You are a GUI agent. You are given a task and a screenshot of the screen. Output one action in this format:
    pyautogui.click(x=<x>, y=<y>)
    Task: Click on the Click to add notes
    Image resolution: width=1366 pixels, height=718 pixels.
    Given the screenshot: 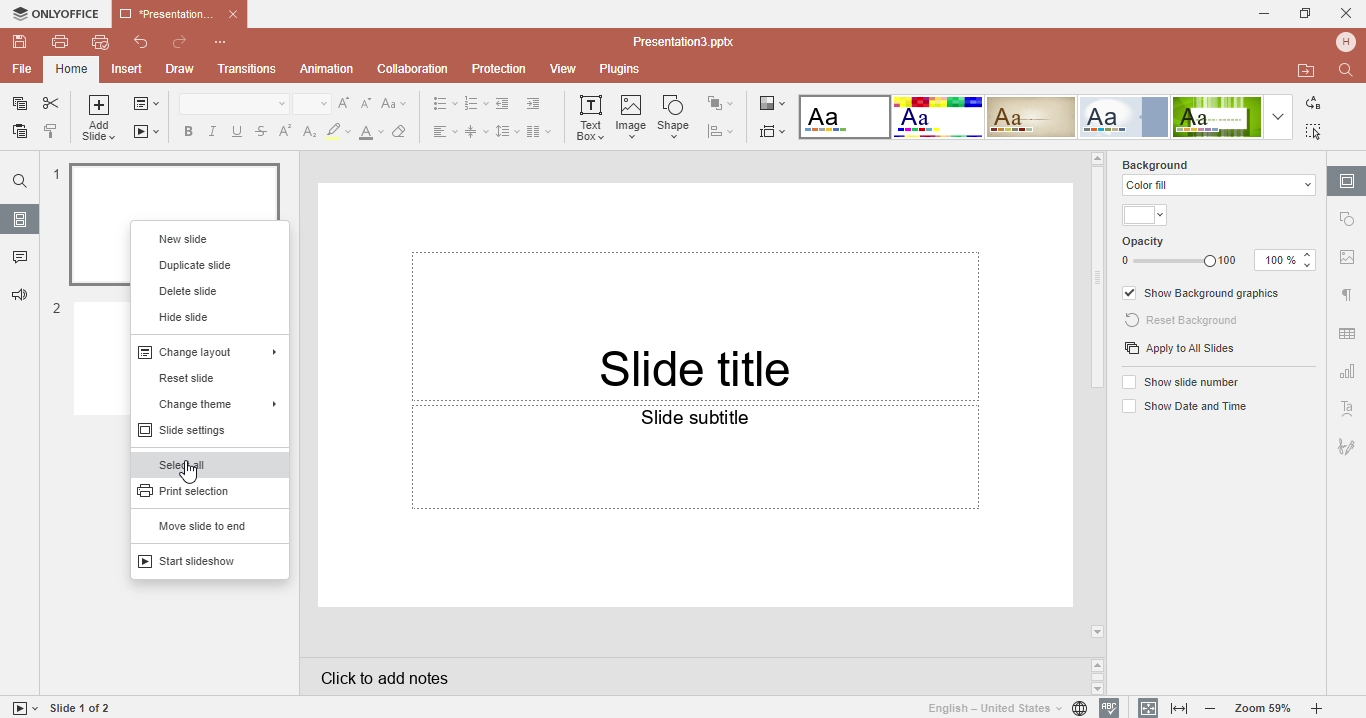 What is the action you would take?
    pyautogui.click(x=692, y=676)
    